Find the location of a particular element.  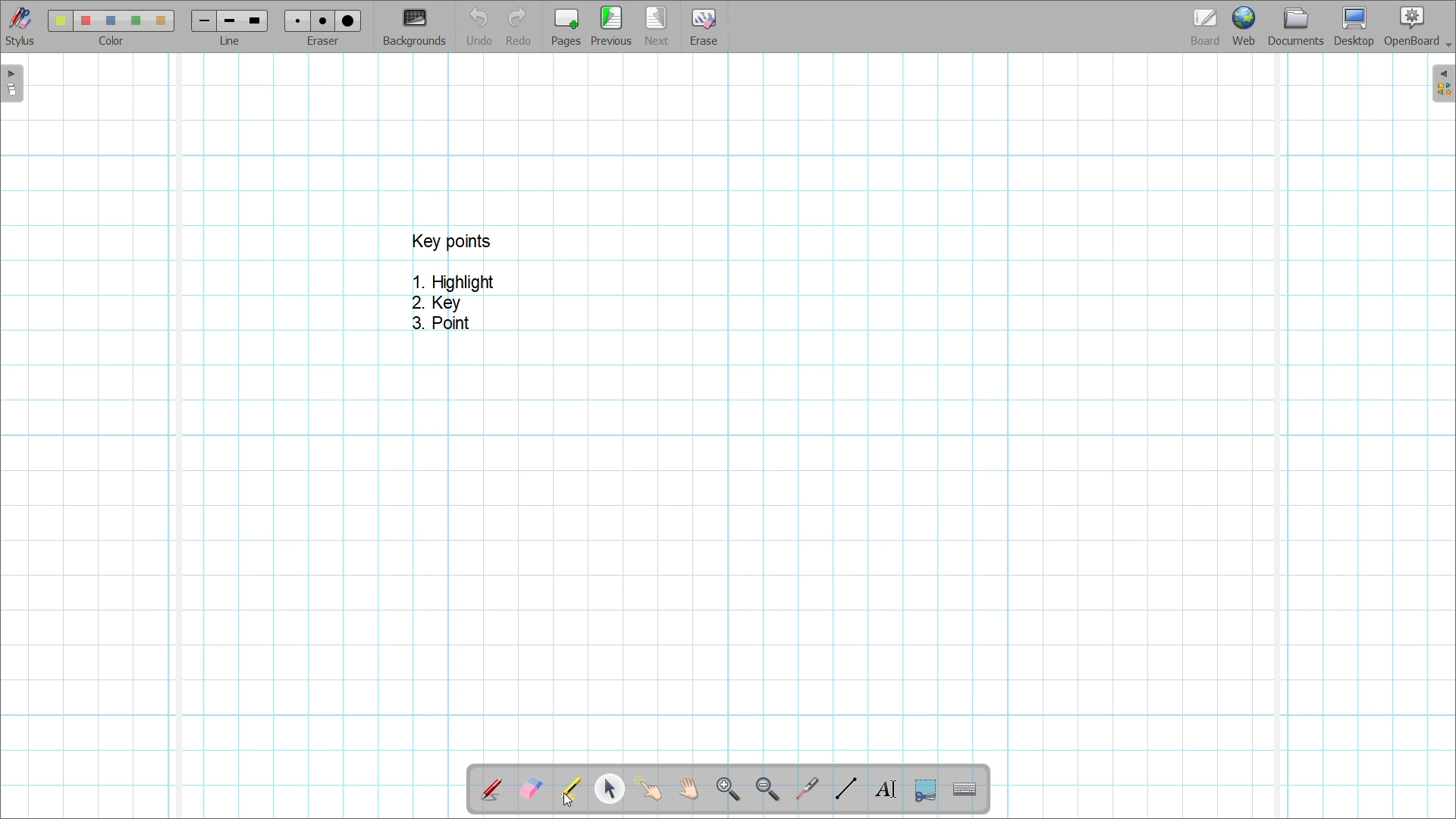

1. Highlight is located at coordinates (457, 282).